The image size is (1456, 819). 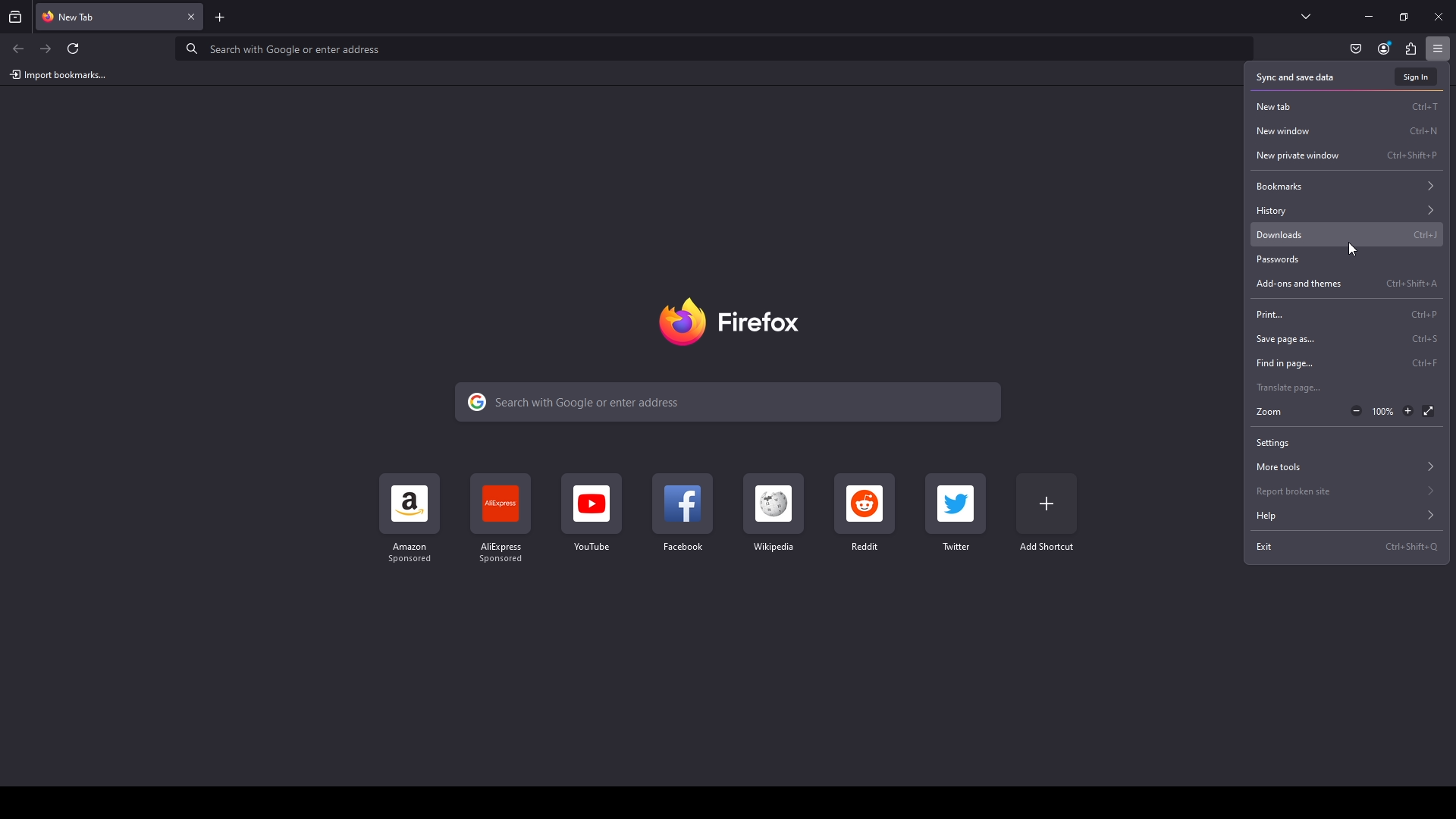 What do you see at coordinates (412, 519) in the screenshot?
I see `Amazon sponsored` at bounding box center [412, 519].